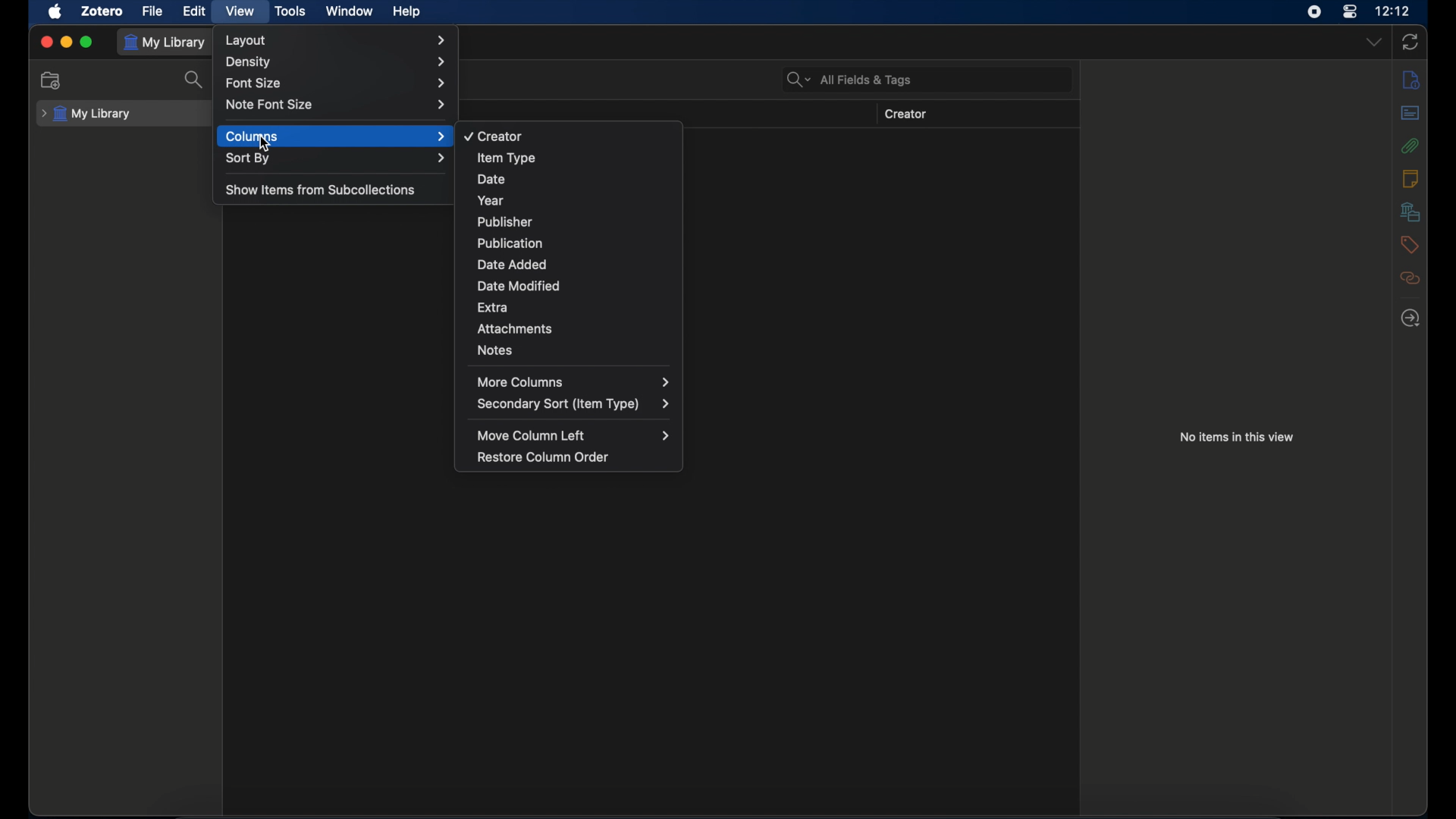 The width and height of the screenshot is (1456, 819). I want to click on screen recorder, so click(1313, 11).